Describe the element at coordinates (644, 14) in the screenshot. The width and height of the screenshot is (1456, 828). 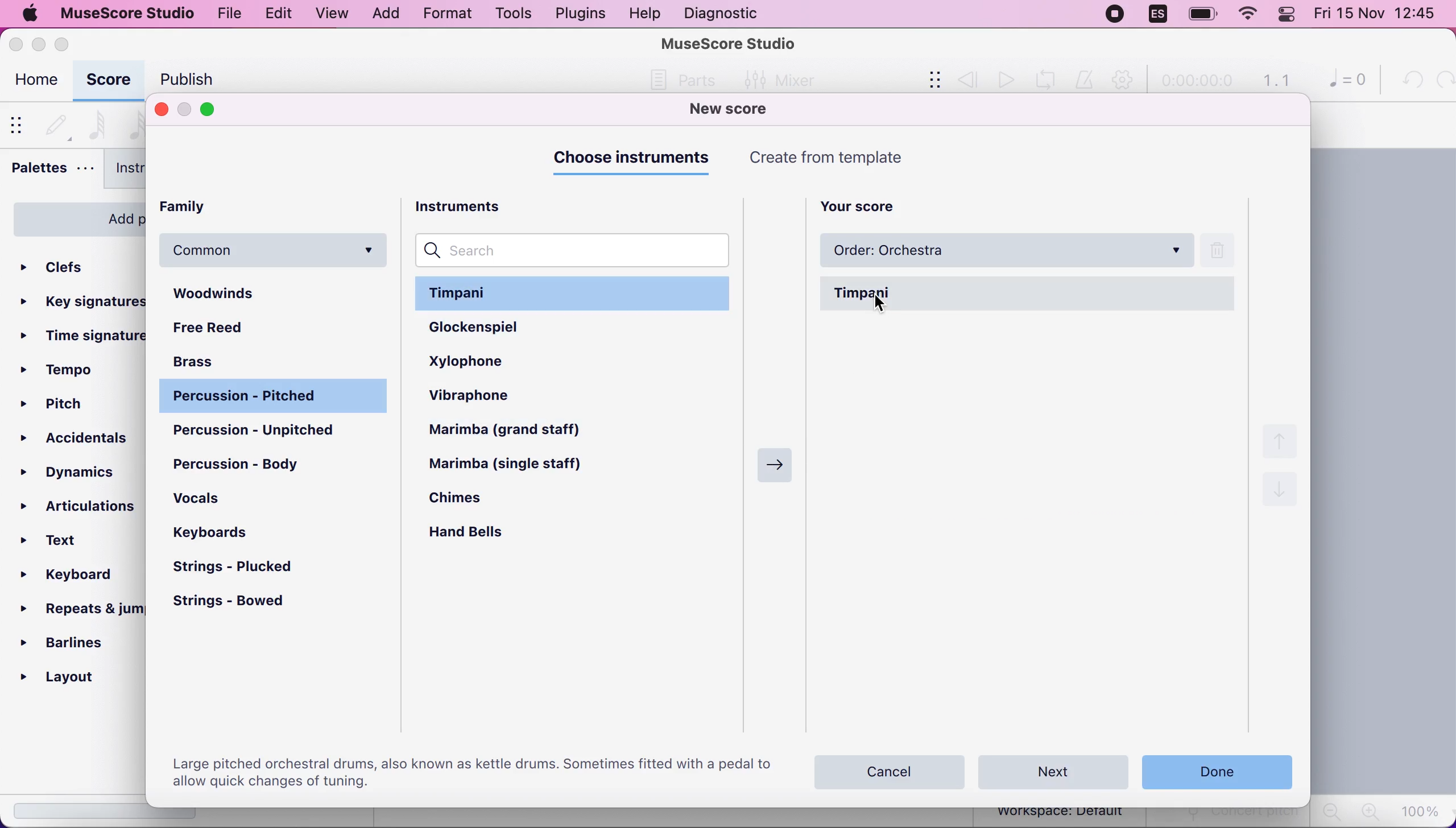
I see `help` at that location.